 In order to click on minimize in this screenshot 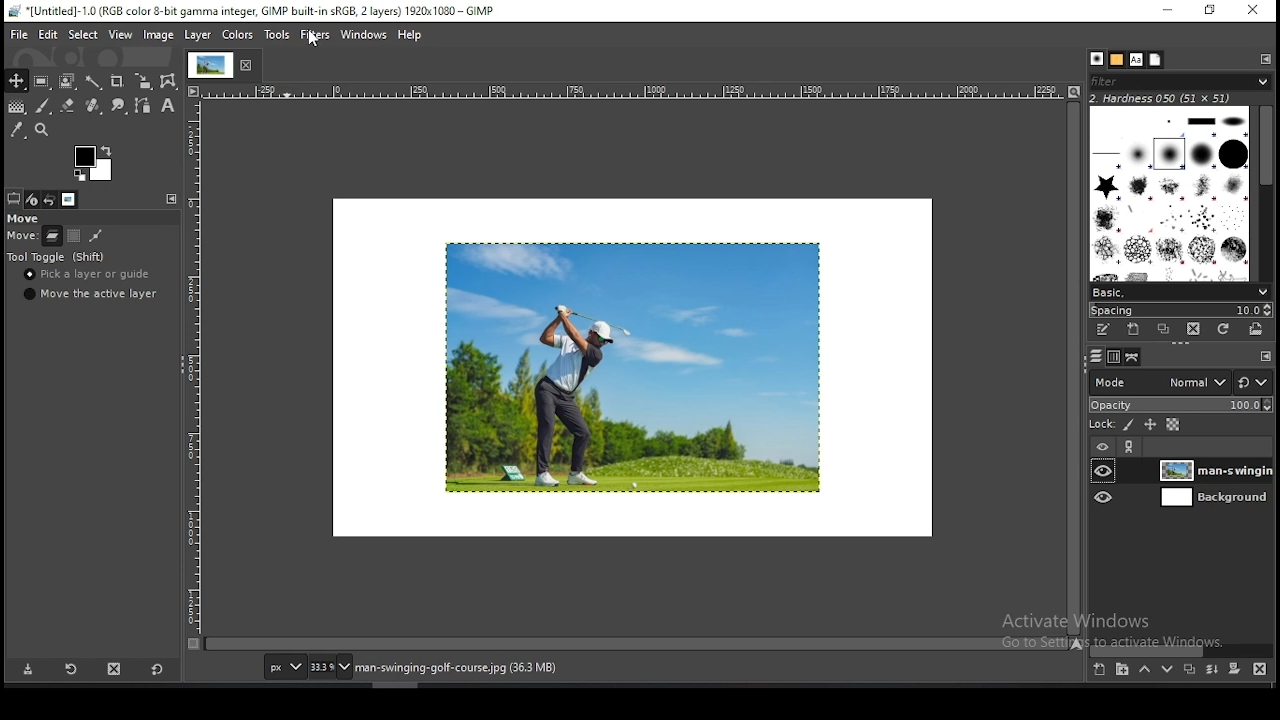, I will do `click(1169, 11)`.